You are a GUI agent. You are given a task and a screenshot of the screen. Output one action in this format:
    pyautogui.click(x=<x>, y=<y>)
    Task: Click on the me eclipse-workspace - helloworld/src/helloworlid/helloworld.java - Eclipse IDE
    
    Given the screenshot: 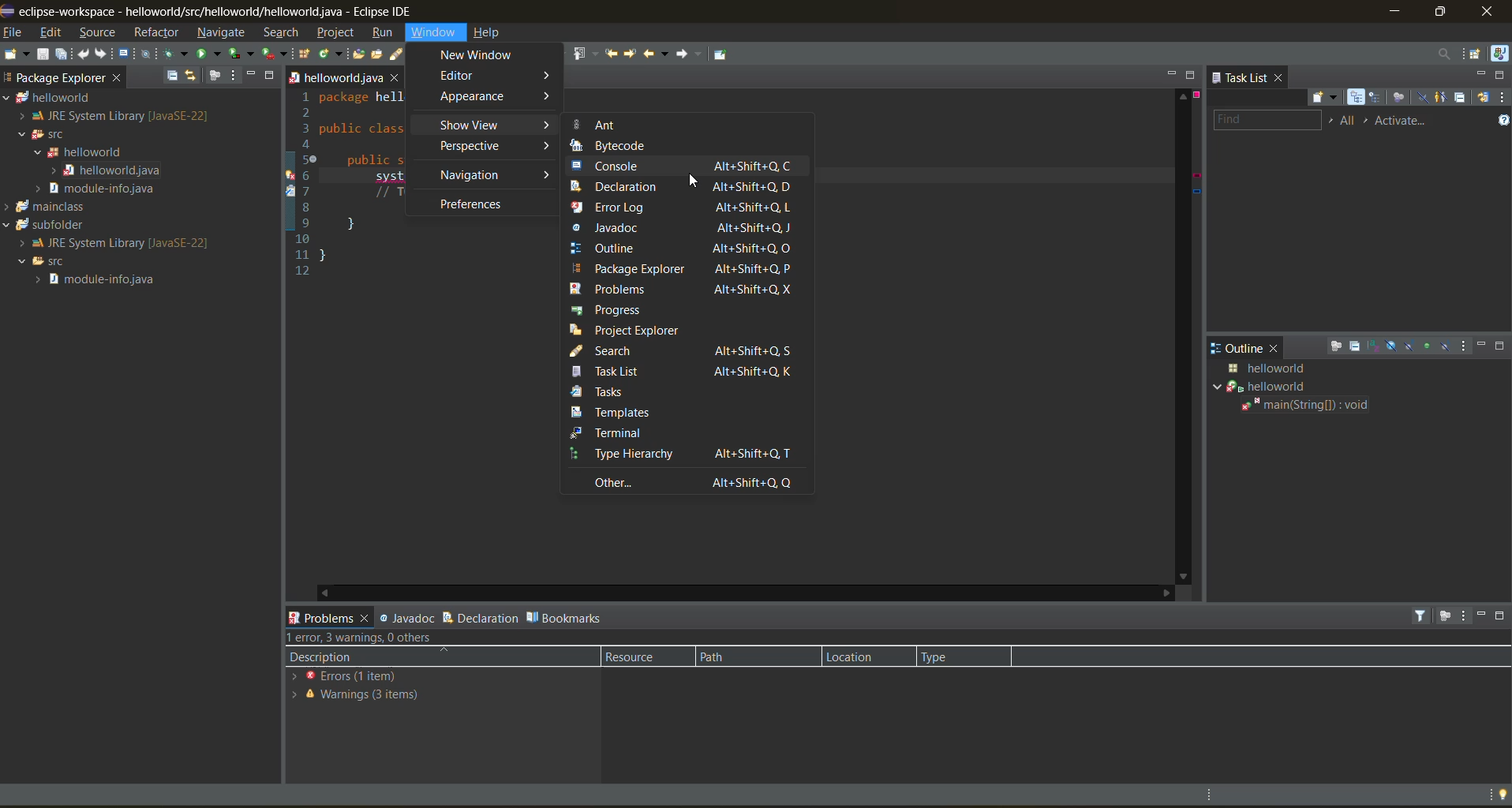 What is the action you would take?
    pyautogui.click(x=215, y=10)
    